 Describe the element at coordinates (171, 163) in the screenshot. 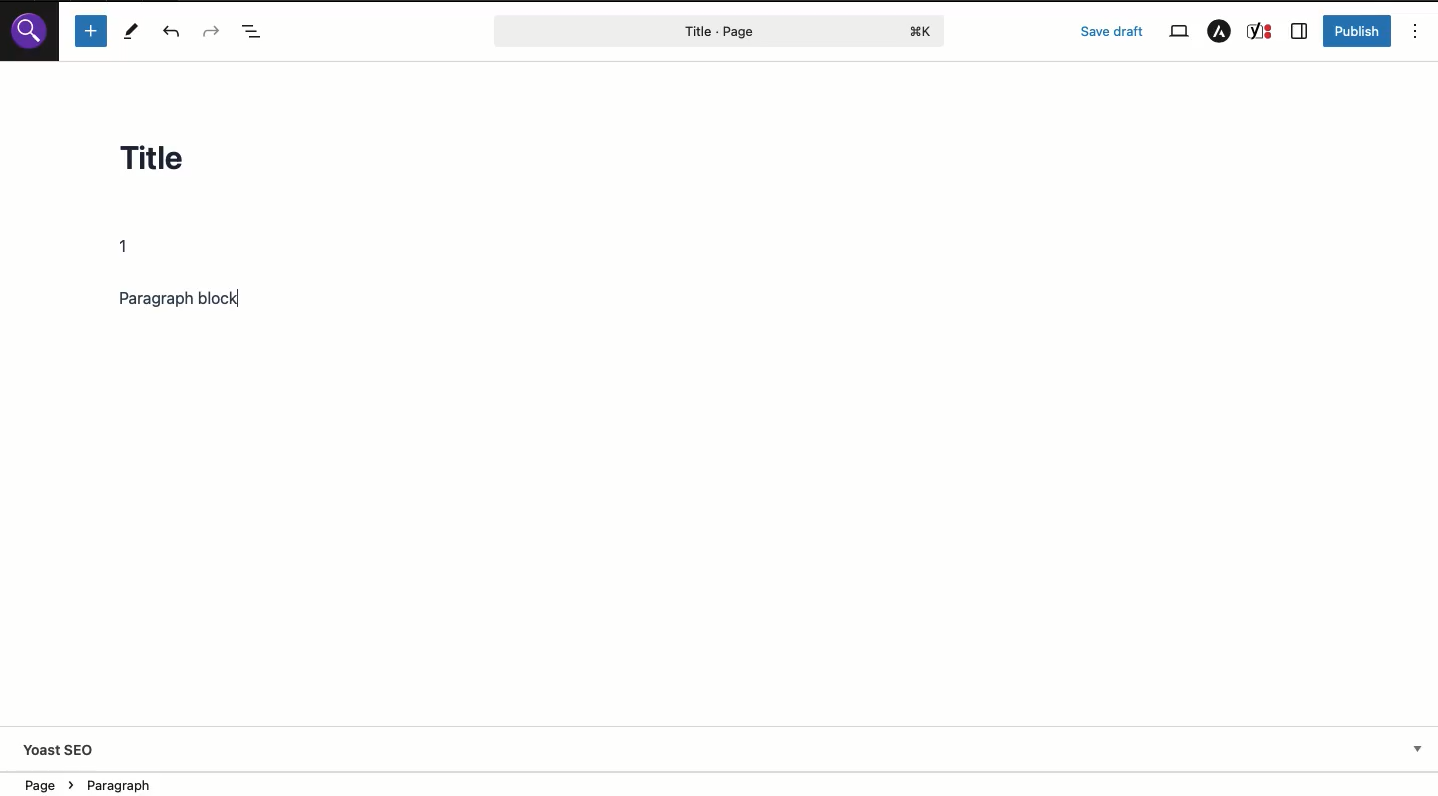

I see `Title` at that location.